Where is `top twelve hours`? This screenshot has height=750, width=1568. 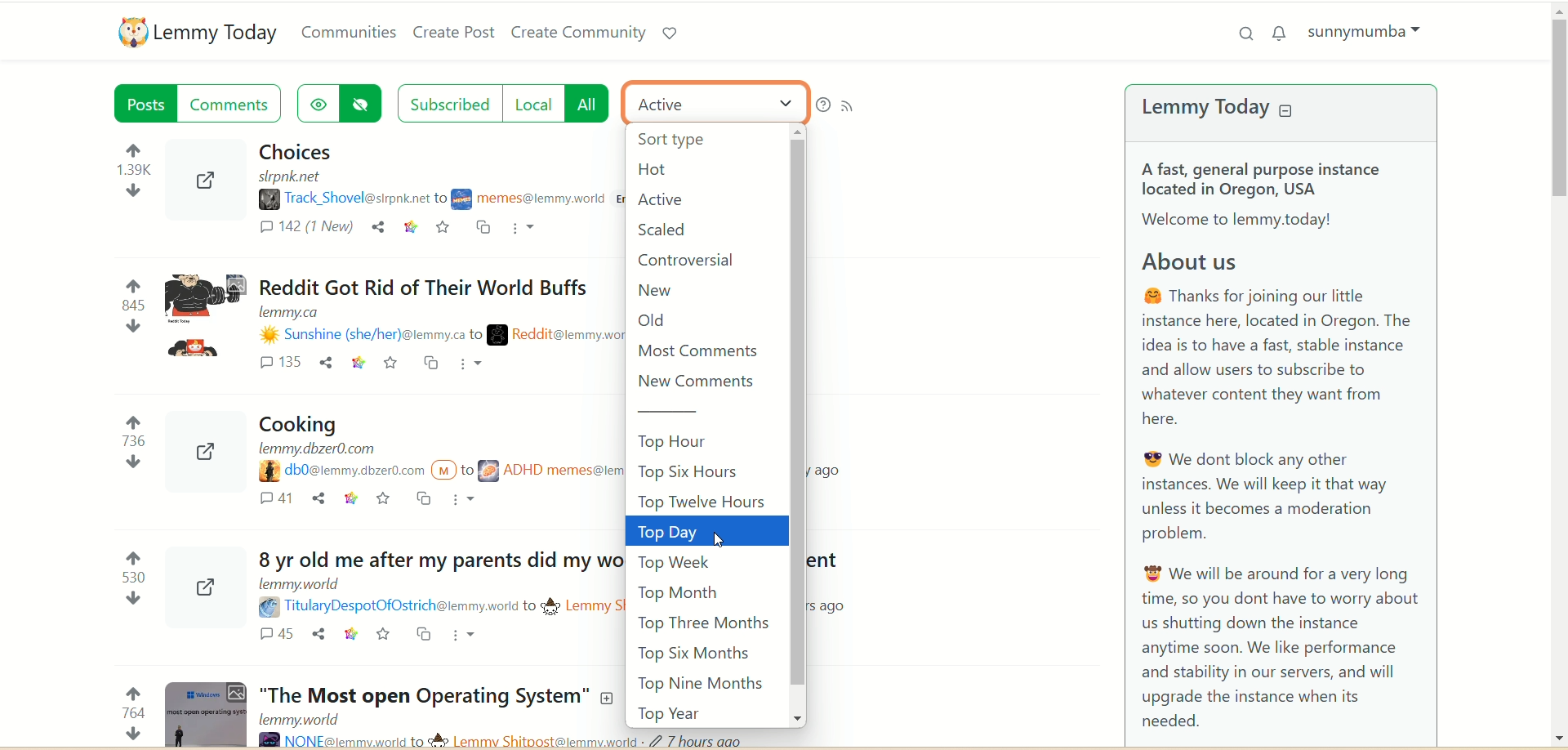
top twelve hours is located at coordinates (707, 501).